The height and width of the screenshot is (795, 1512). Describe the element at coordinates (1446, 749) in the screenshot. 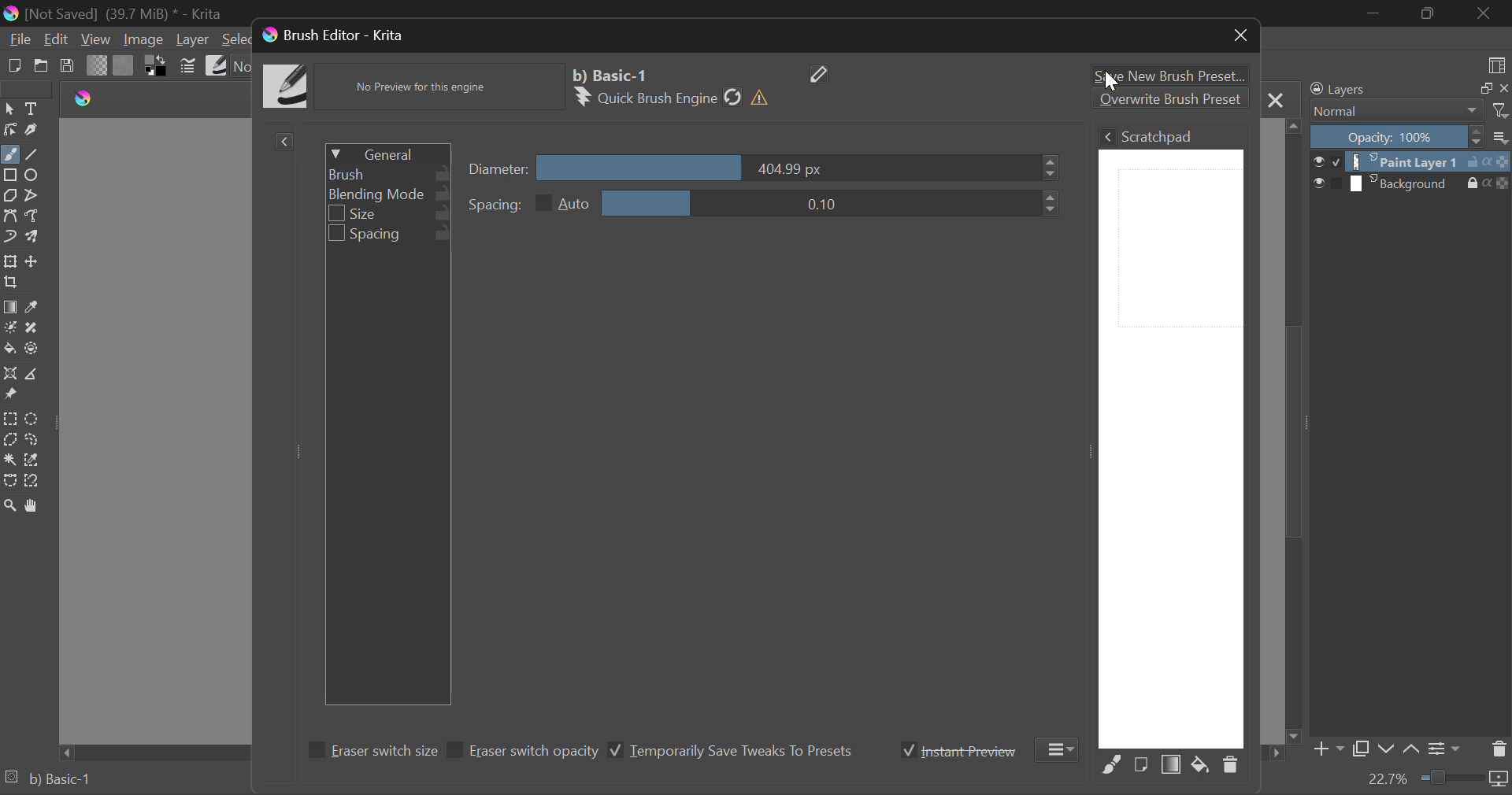

I see `Layer Settings` at that location.